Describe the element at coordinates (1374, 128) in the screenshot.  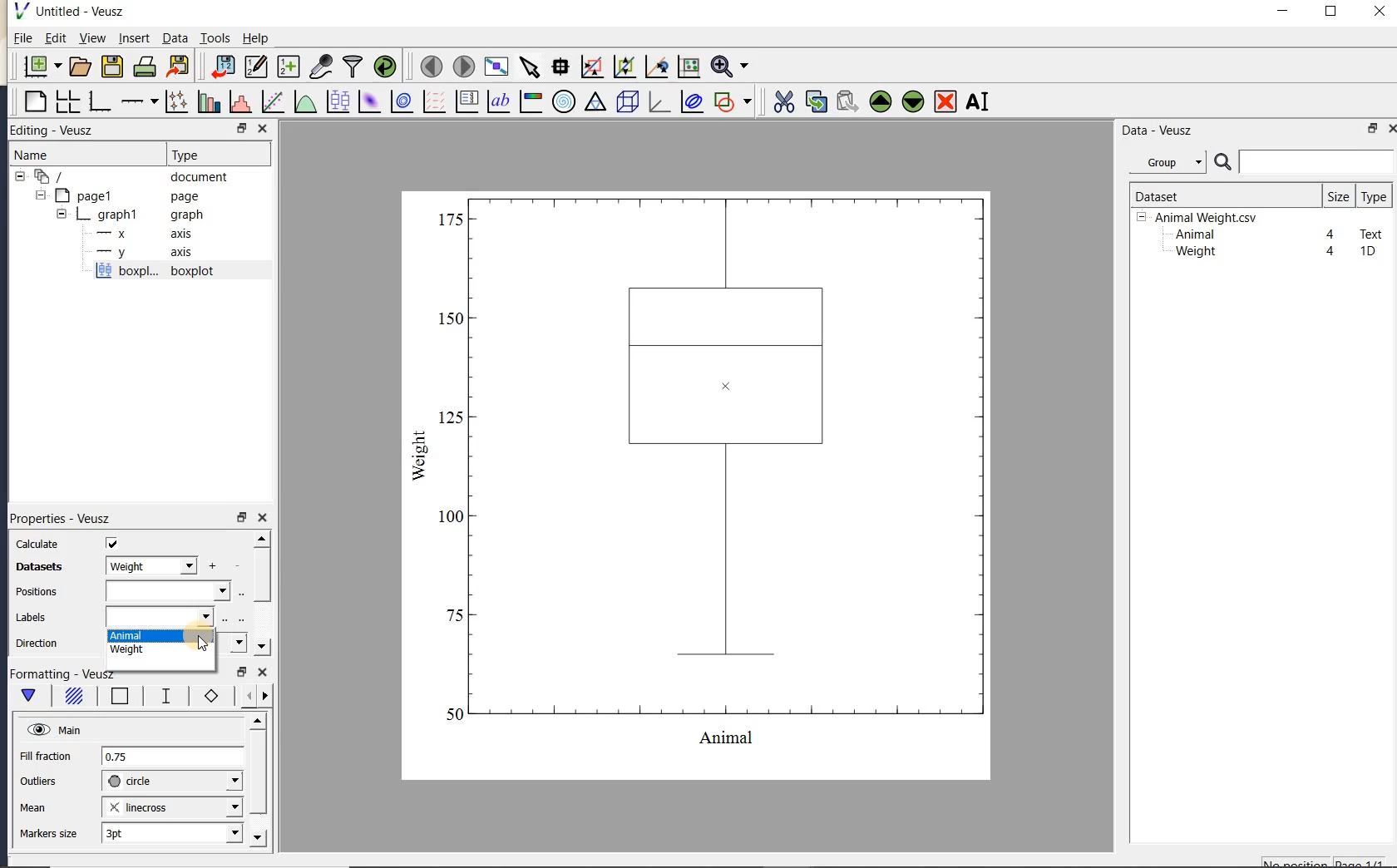
I see `restore` at that location.